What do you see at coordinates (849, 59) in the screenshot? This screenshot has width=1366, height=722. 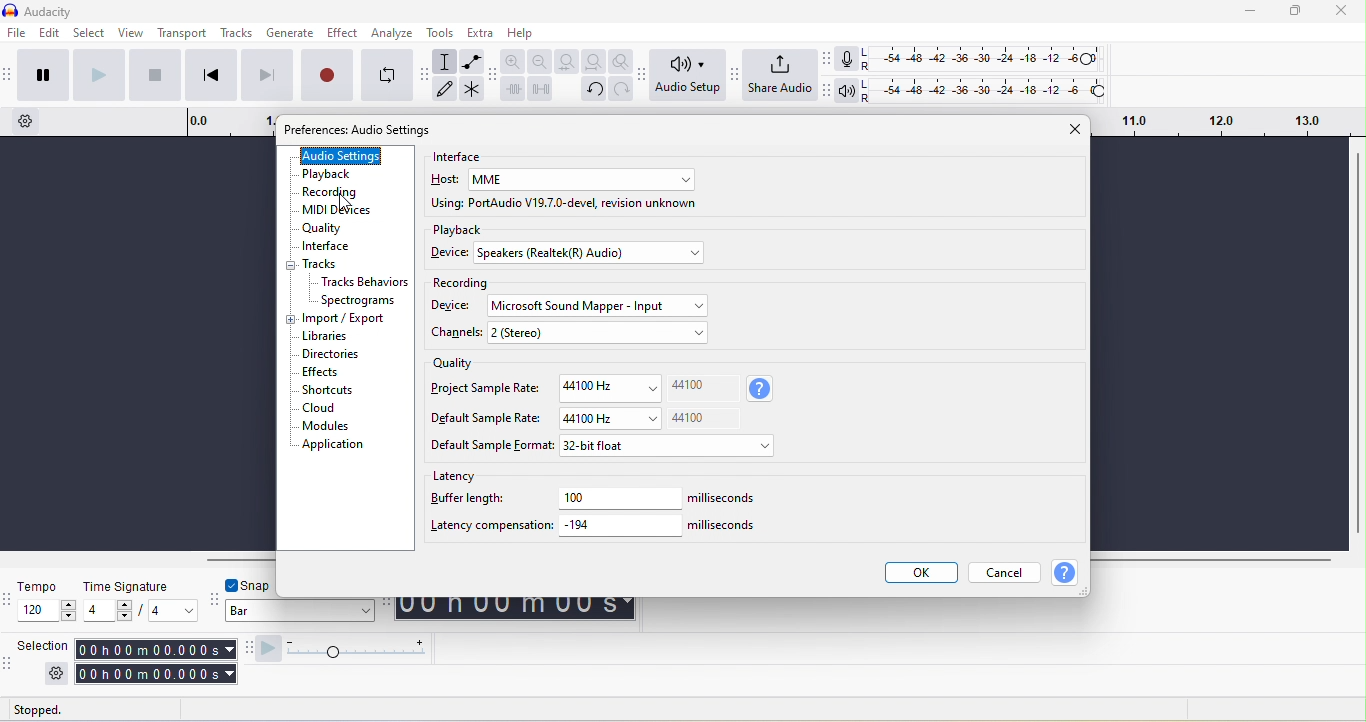 I see `record meter` at bounding box center [849, 59].